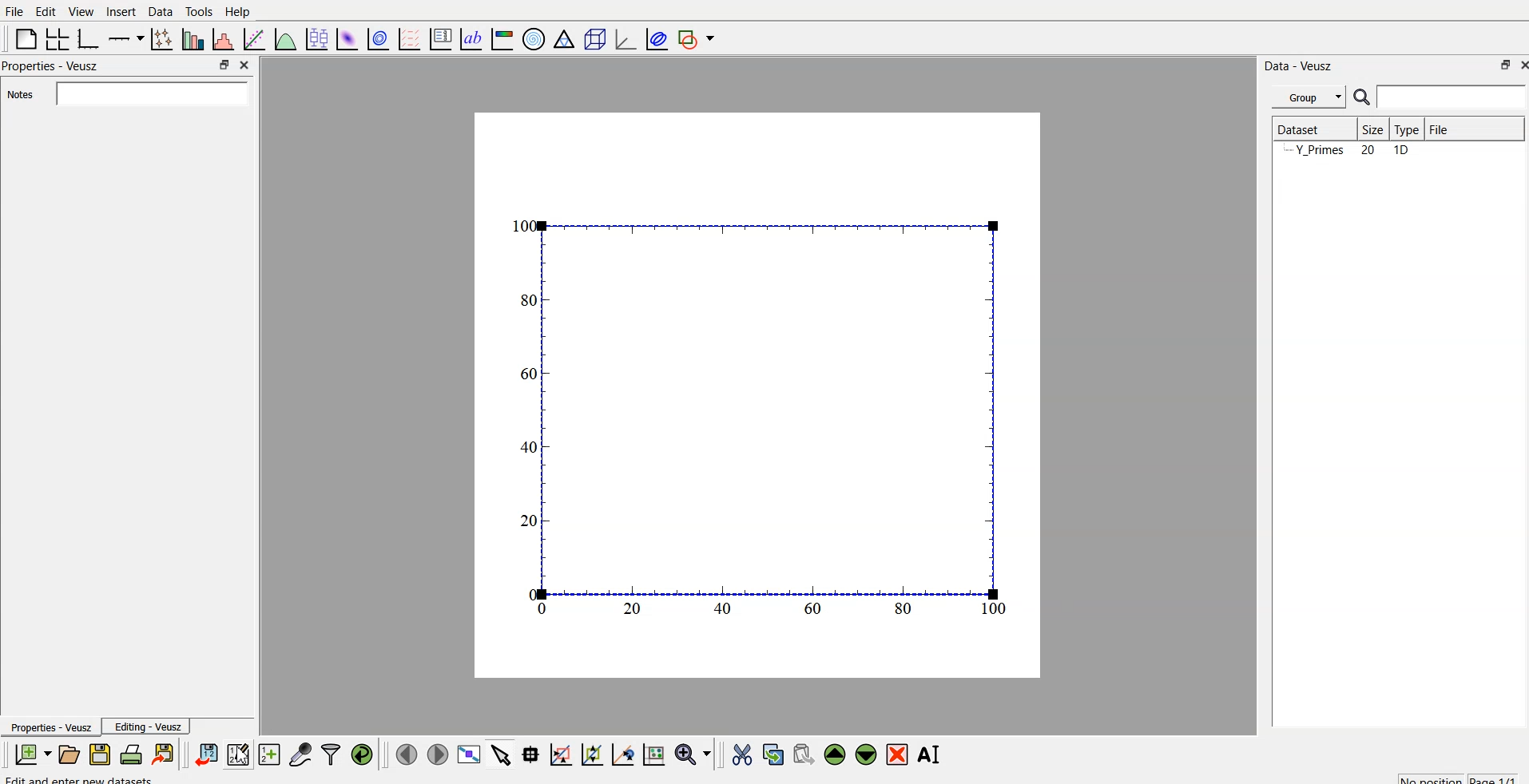 The width and height of the screenshot is (1529, 784). Describe the element at coordinates (68, 754) in the screenshot. I see `open a document` at that location.